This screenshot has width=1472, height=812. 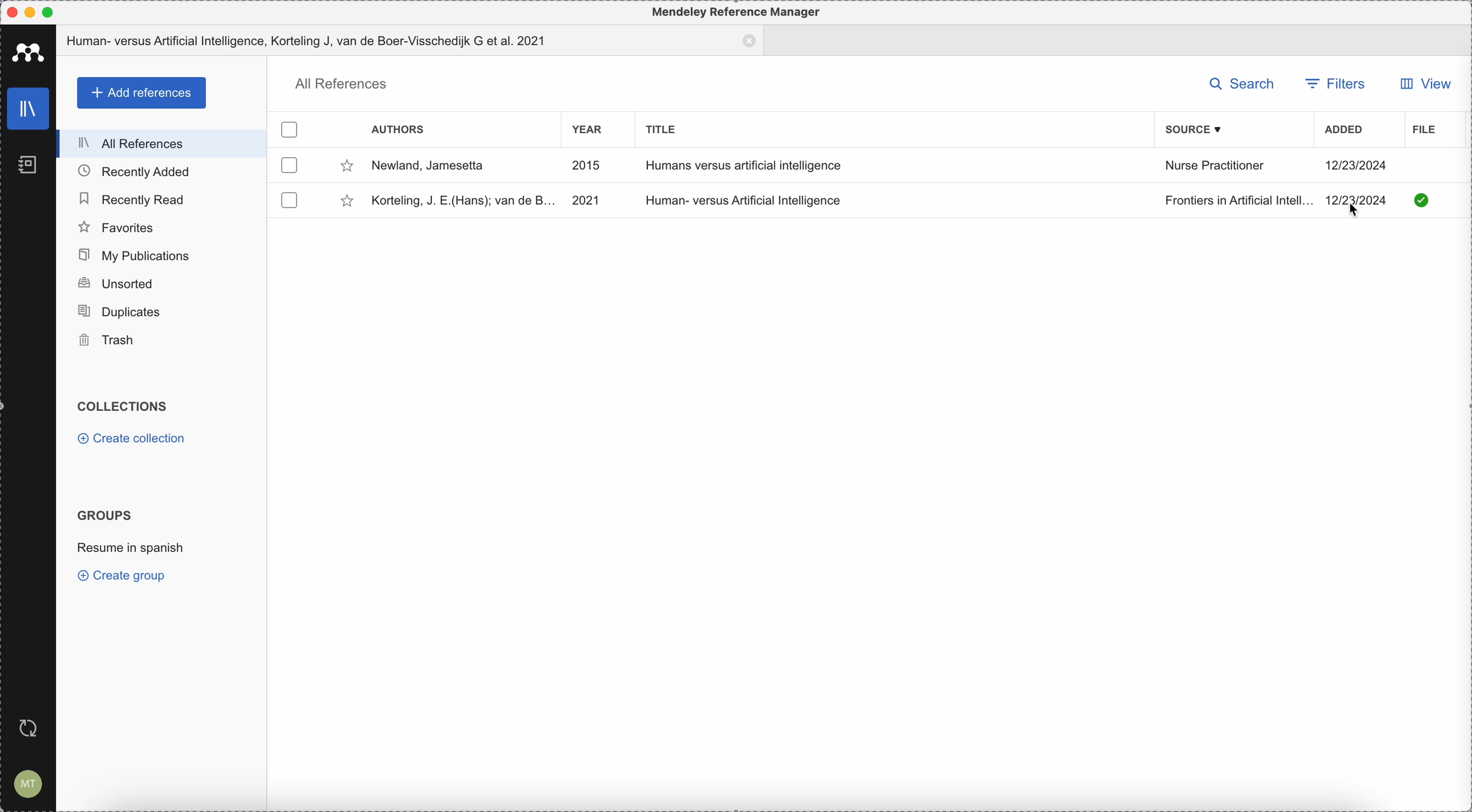 I want to click on file, so click(x=1423, y=129).